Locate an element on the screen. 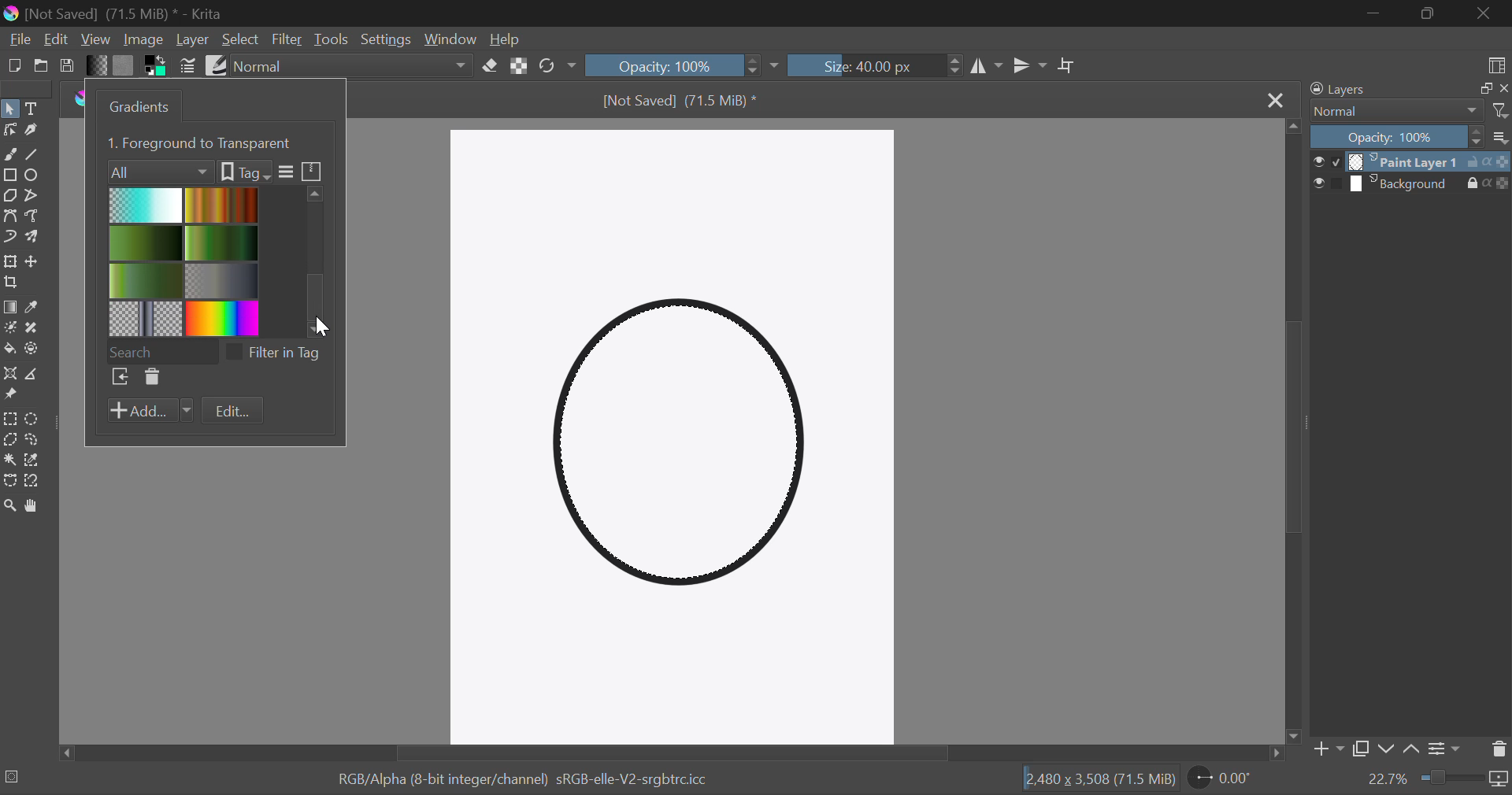 The image size is (1512, 795). Freehand is located at coordinates (9, 155).